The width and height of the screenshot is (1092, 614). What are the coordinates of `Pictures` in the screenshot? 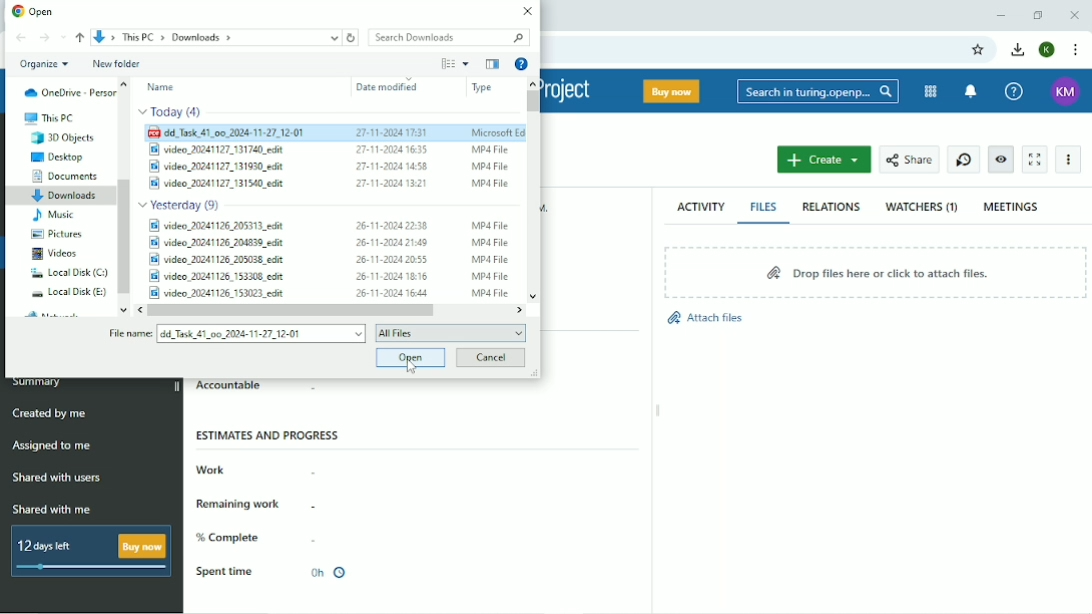 It's located at (60, 234).